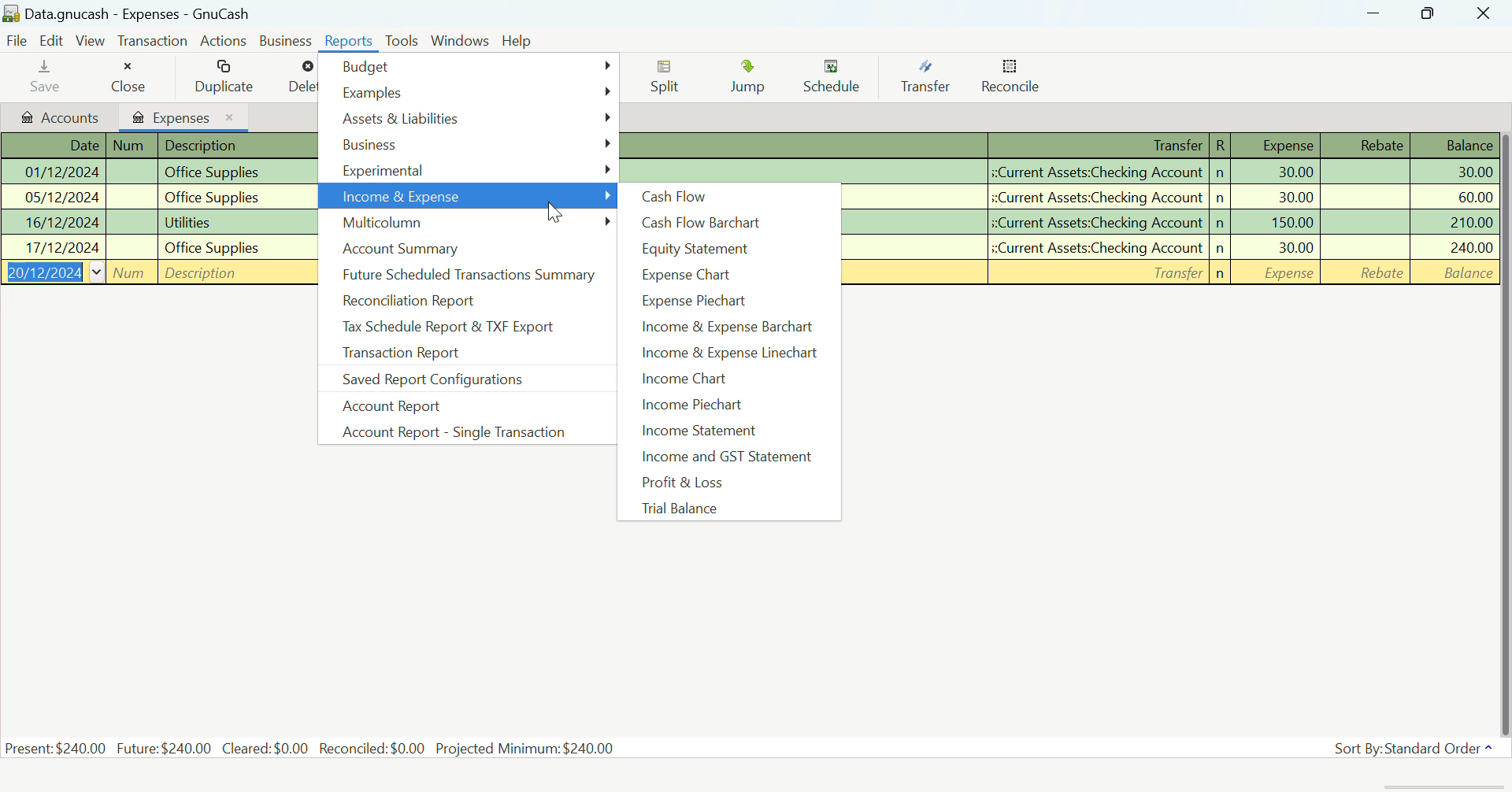 This screenshot has height=792, width=1512. I want to click on Profit & Loss, so click(728, 482).